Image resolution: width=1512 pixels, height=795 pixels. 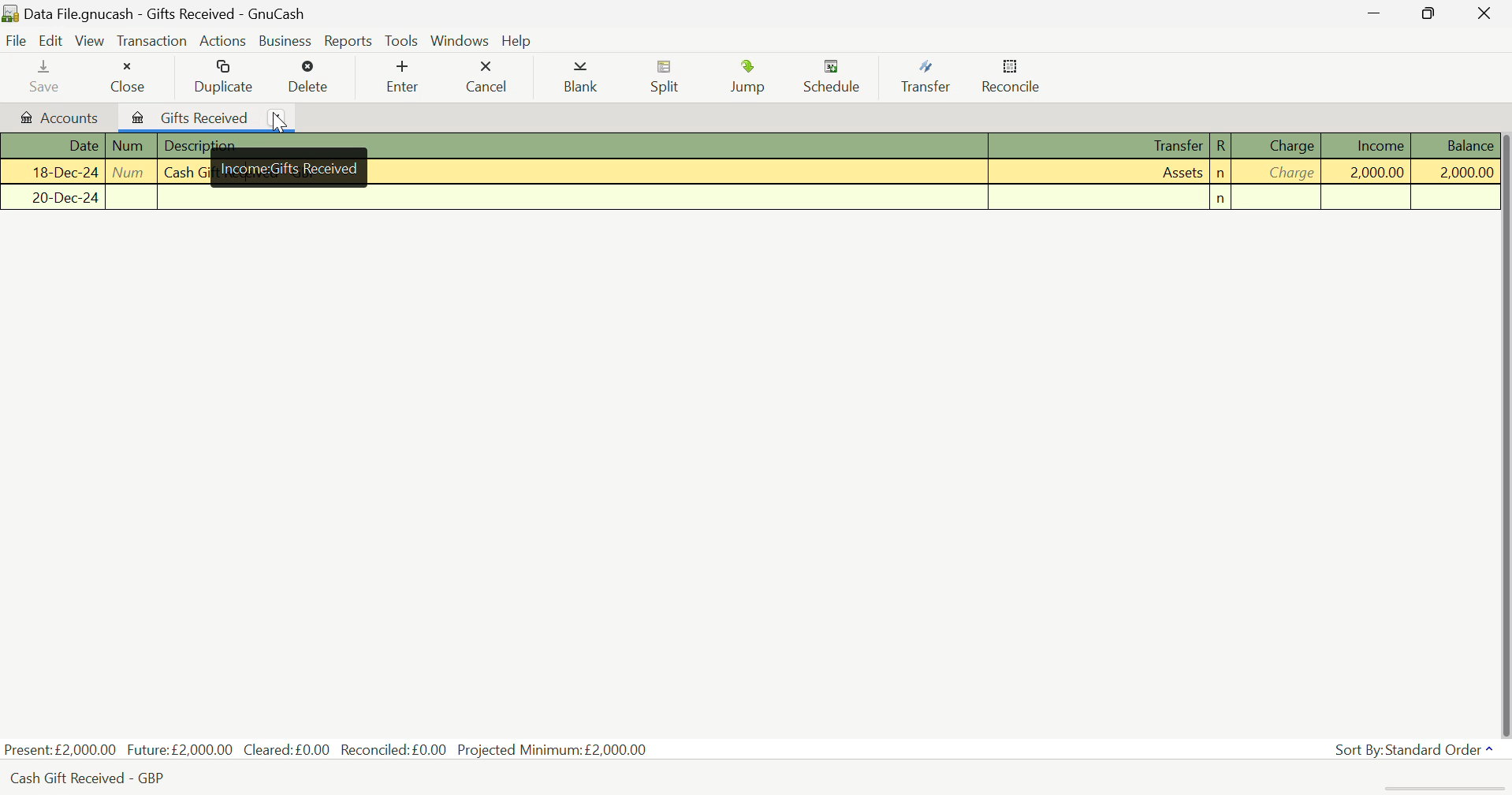 What do you see at coordinates (181, 748) in the screenshot?
I see `Future` at bounding box center [181, 748].